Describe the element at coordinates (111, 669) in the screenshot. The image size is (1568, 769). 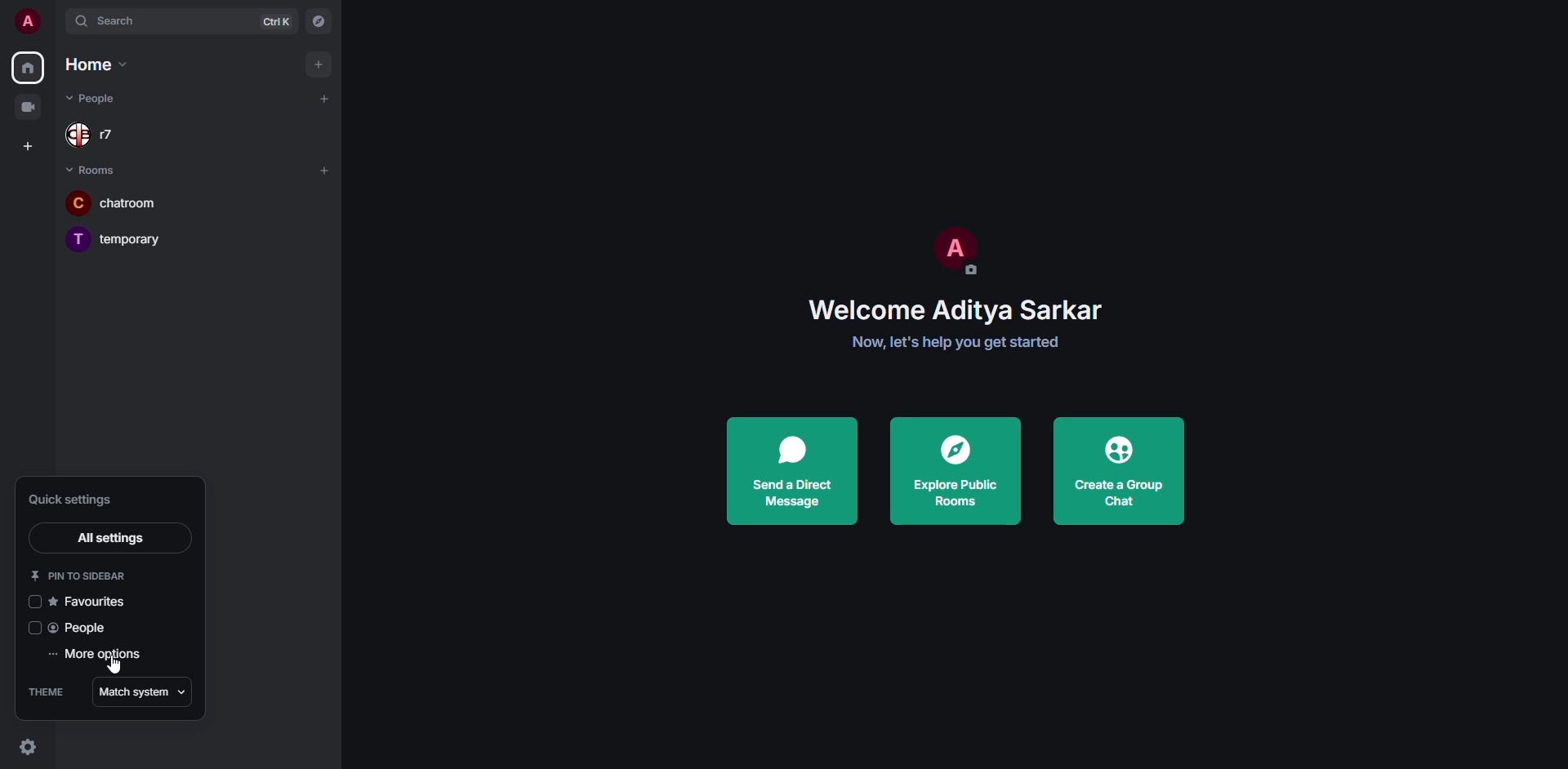
I see `cursor` at that location.